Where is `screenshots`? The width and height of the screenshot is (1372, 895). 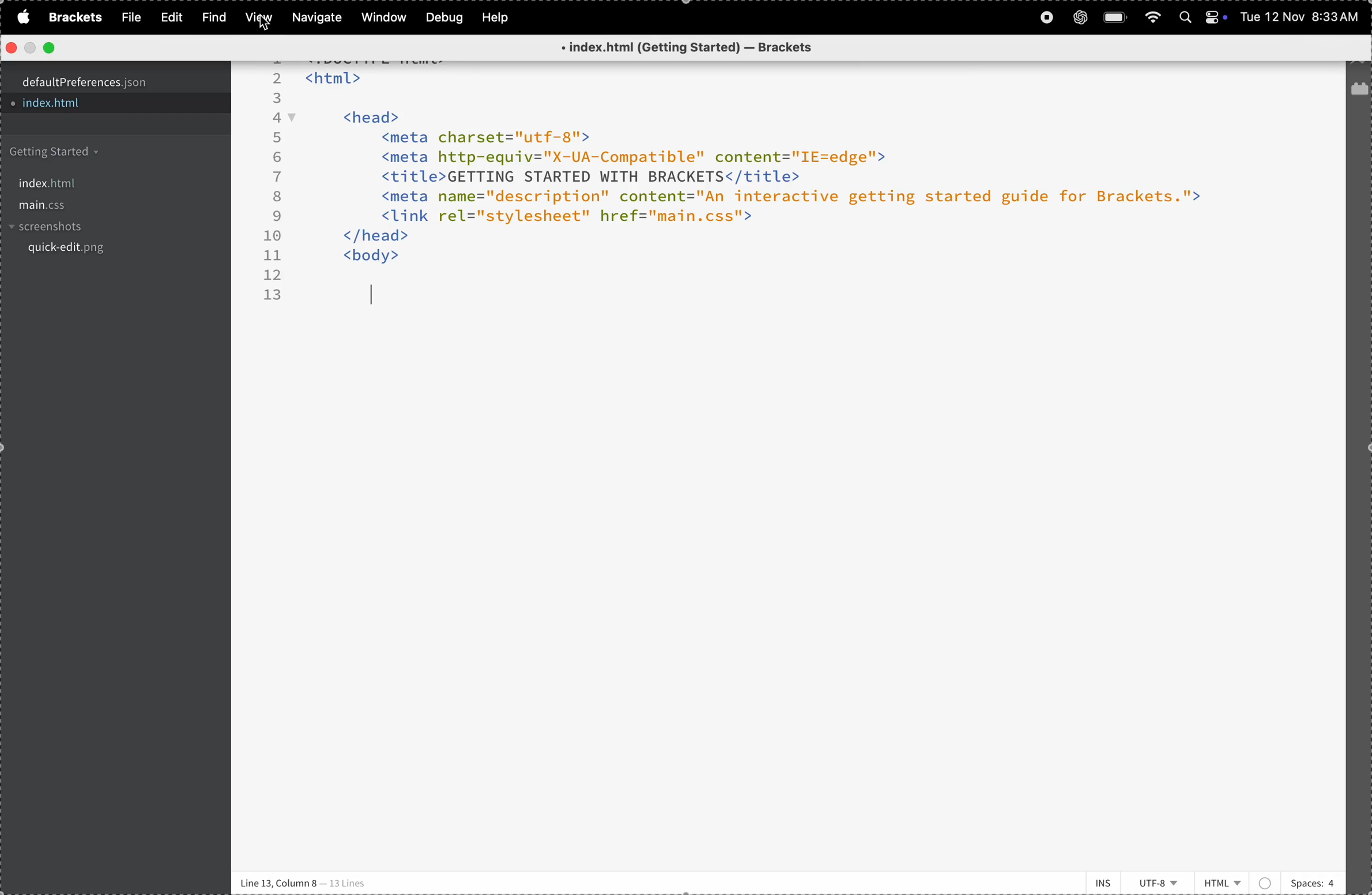 screenshots is located at coordinates (104, 228).